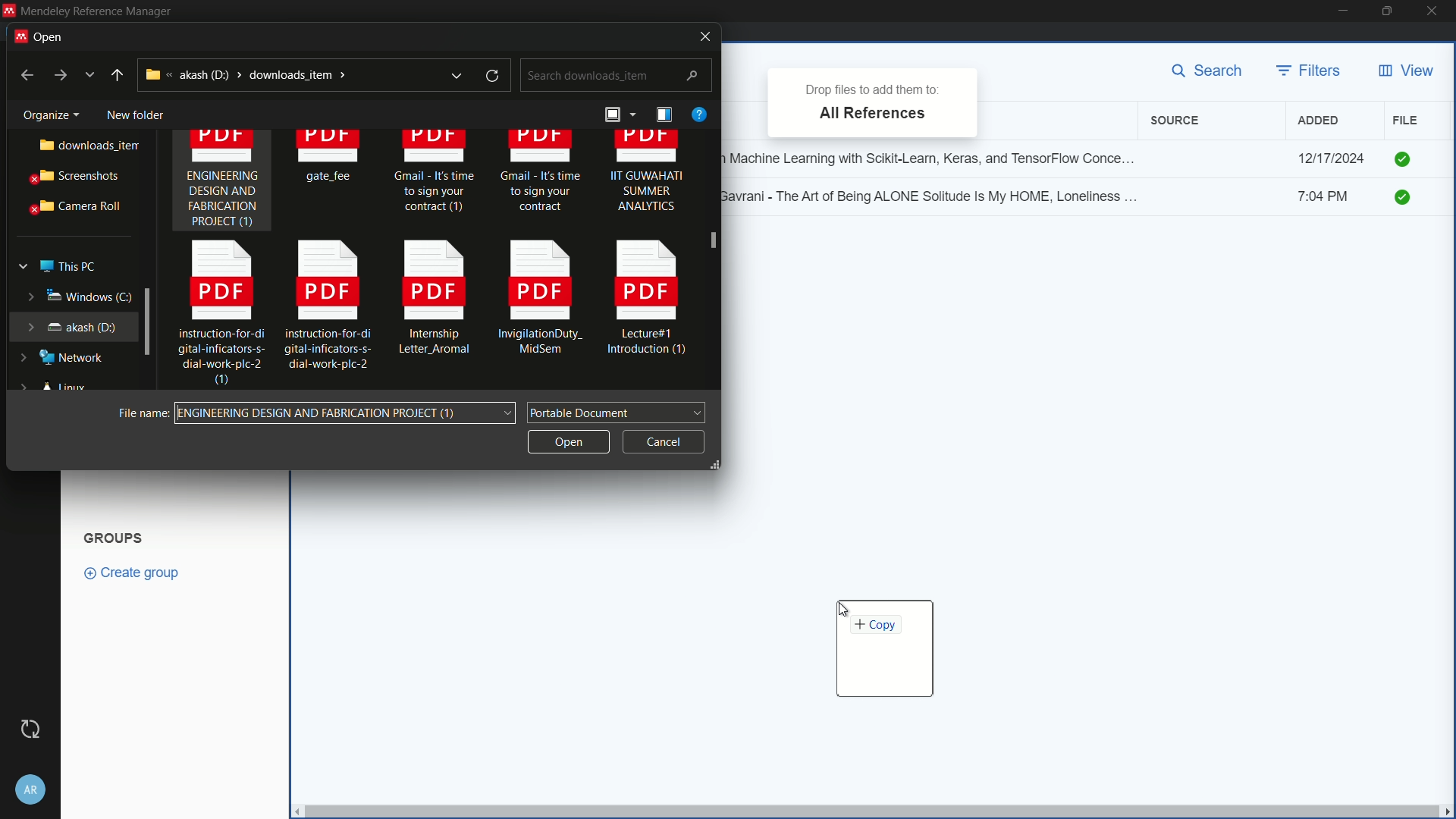  Describe the element at coordinates (872, 100) in the screenshot. I see `Drop files to add them to All References` at that location.